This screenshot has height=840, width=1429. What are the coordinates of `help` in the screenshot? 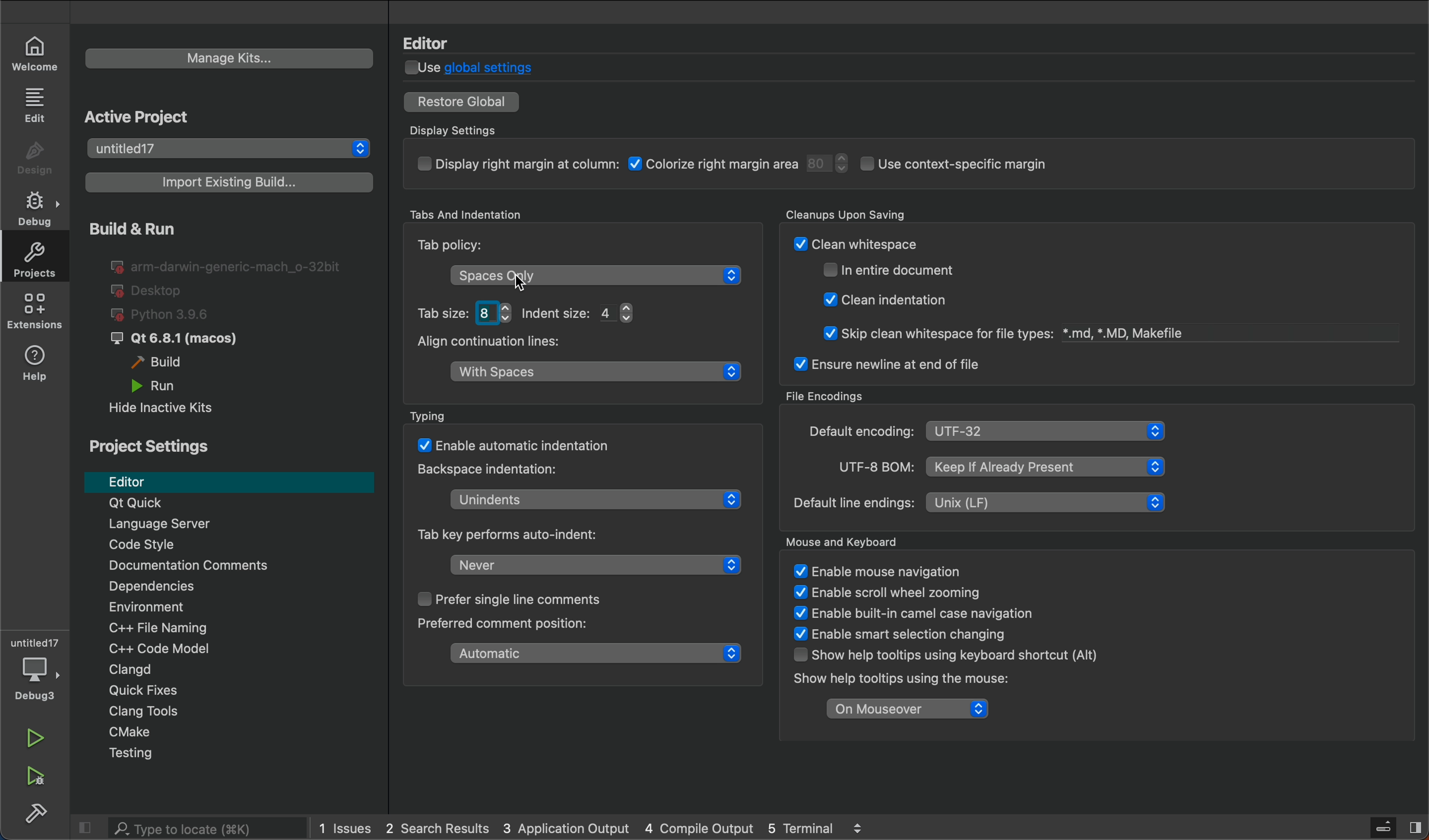 It's located at (39, 367).